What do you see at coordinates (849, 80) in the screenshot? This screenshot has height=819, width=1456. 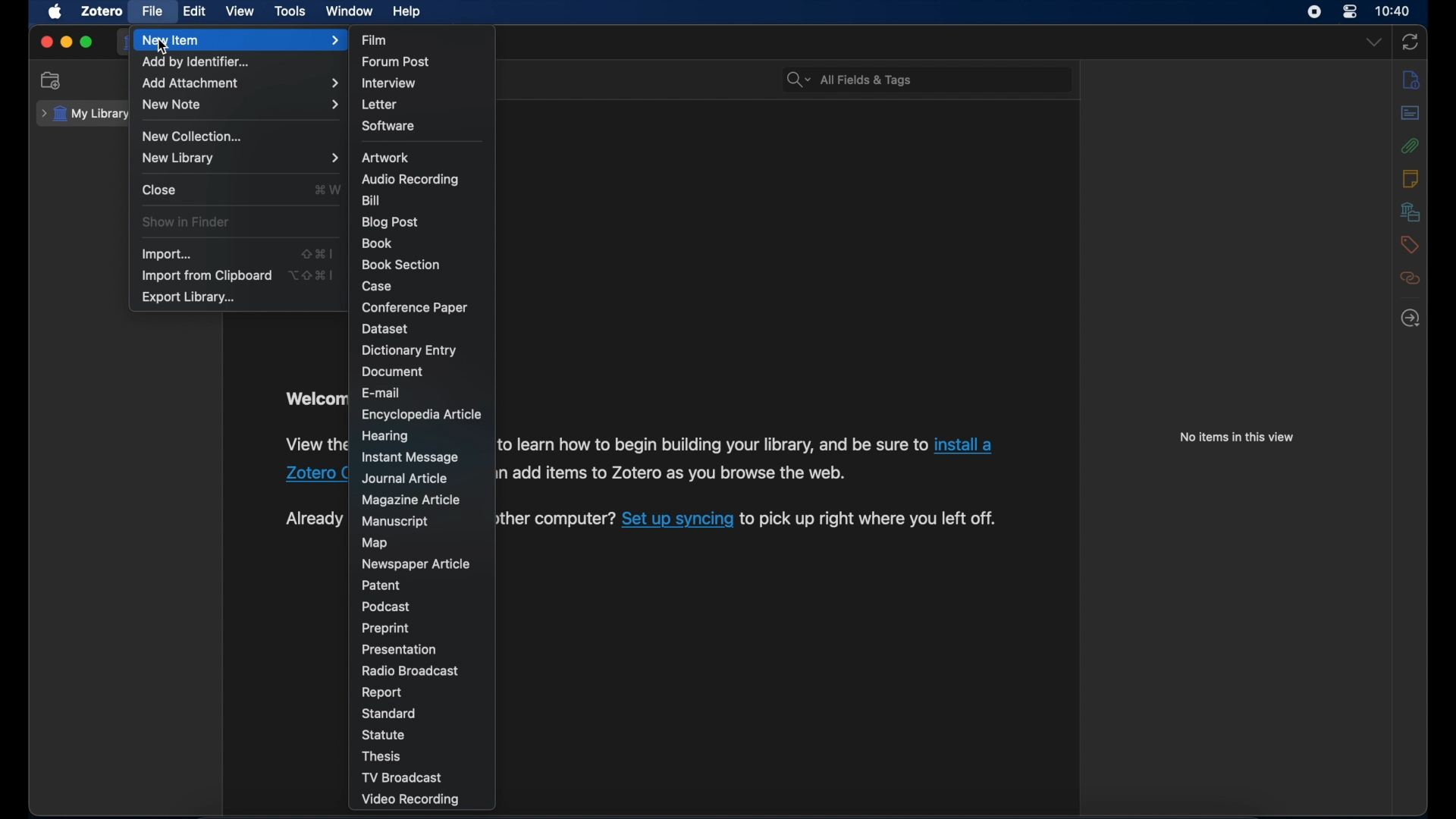 I see `search bar` at bounding box center [849, 80].